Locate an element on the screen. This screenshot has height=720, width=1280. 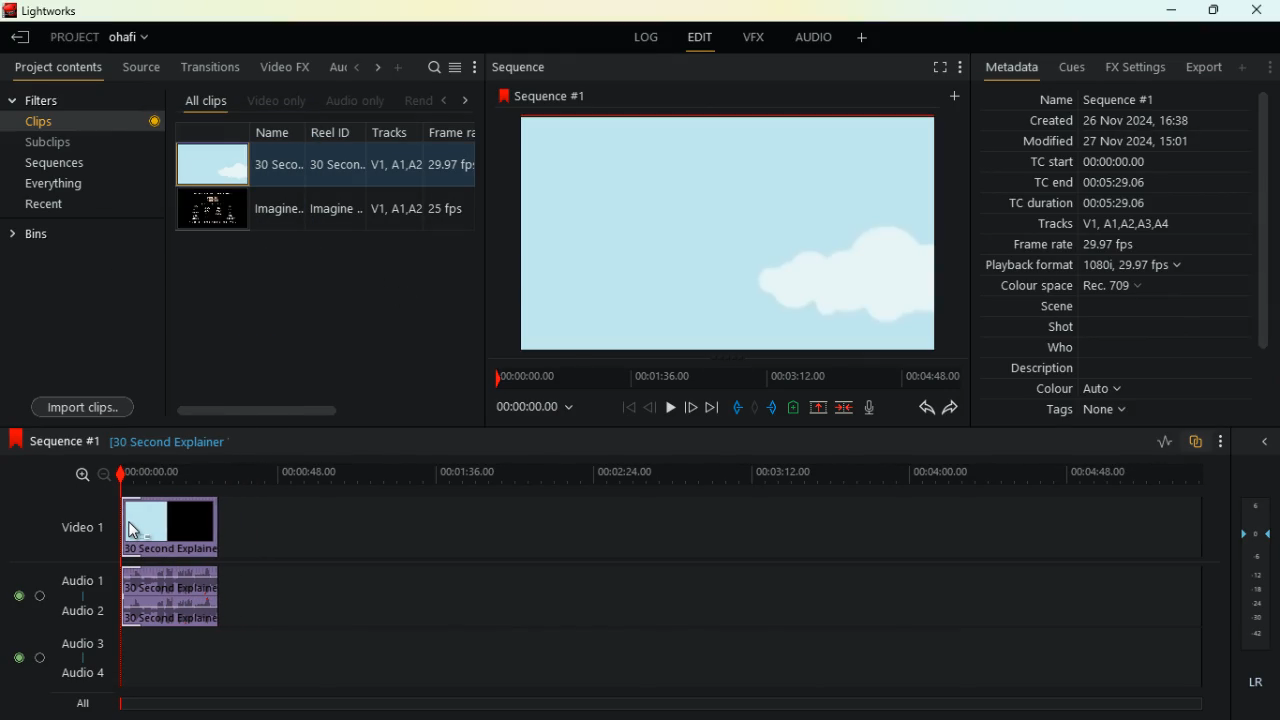
tracks is located at coordinates (398, 175).